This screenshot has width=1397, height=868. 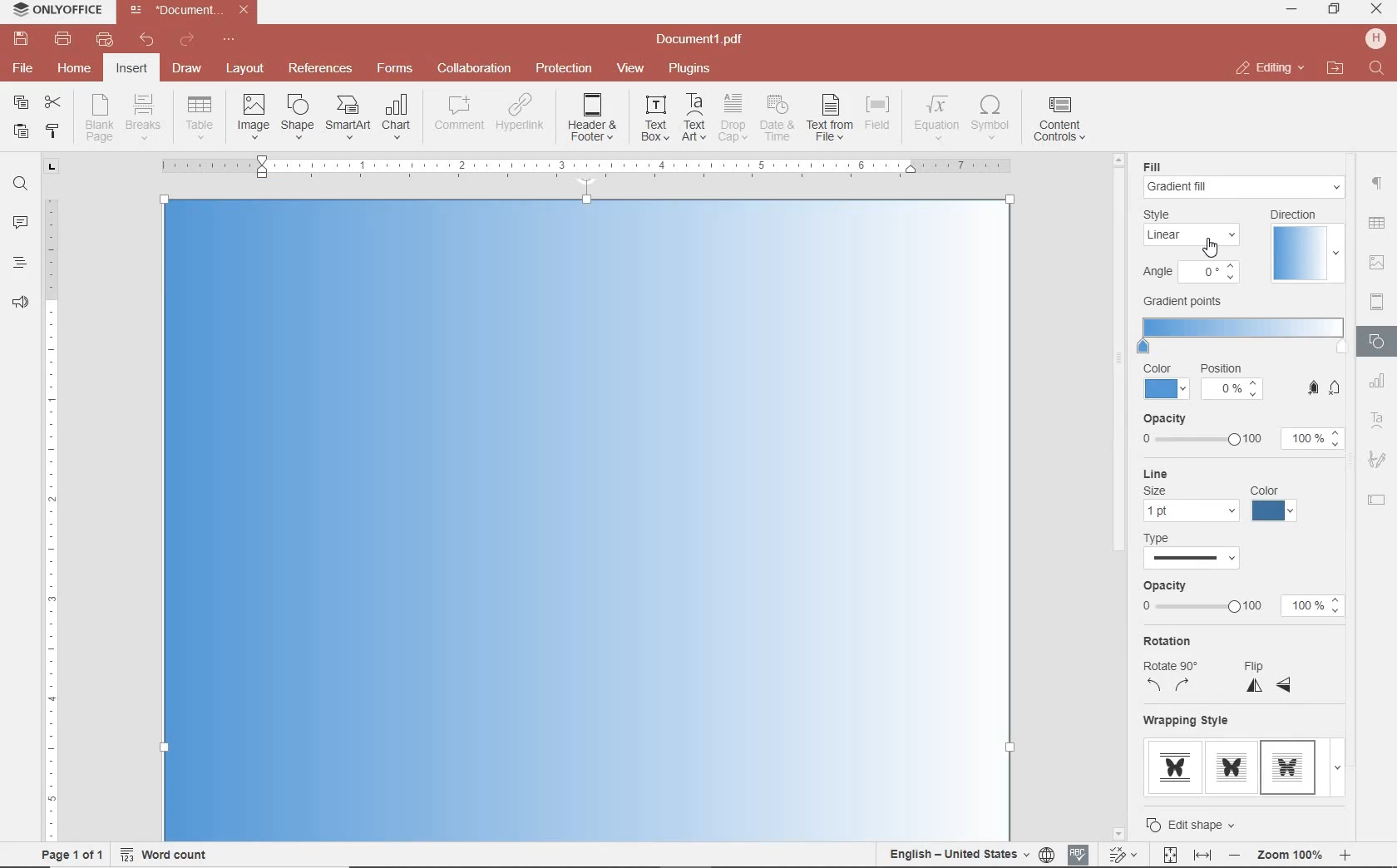 What do you see at coordinates (131, 70) in the screenshot?
I see `insert` at bounding box center [131, 70].